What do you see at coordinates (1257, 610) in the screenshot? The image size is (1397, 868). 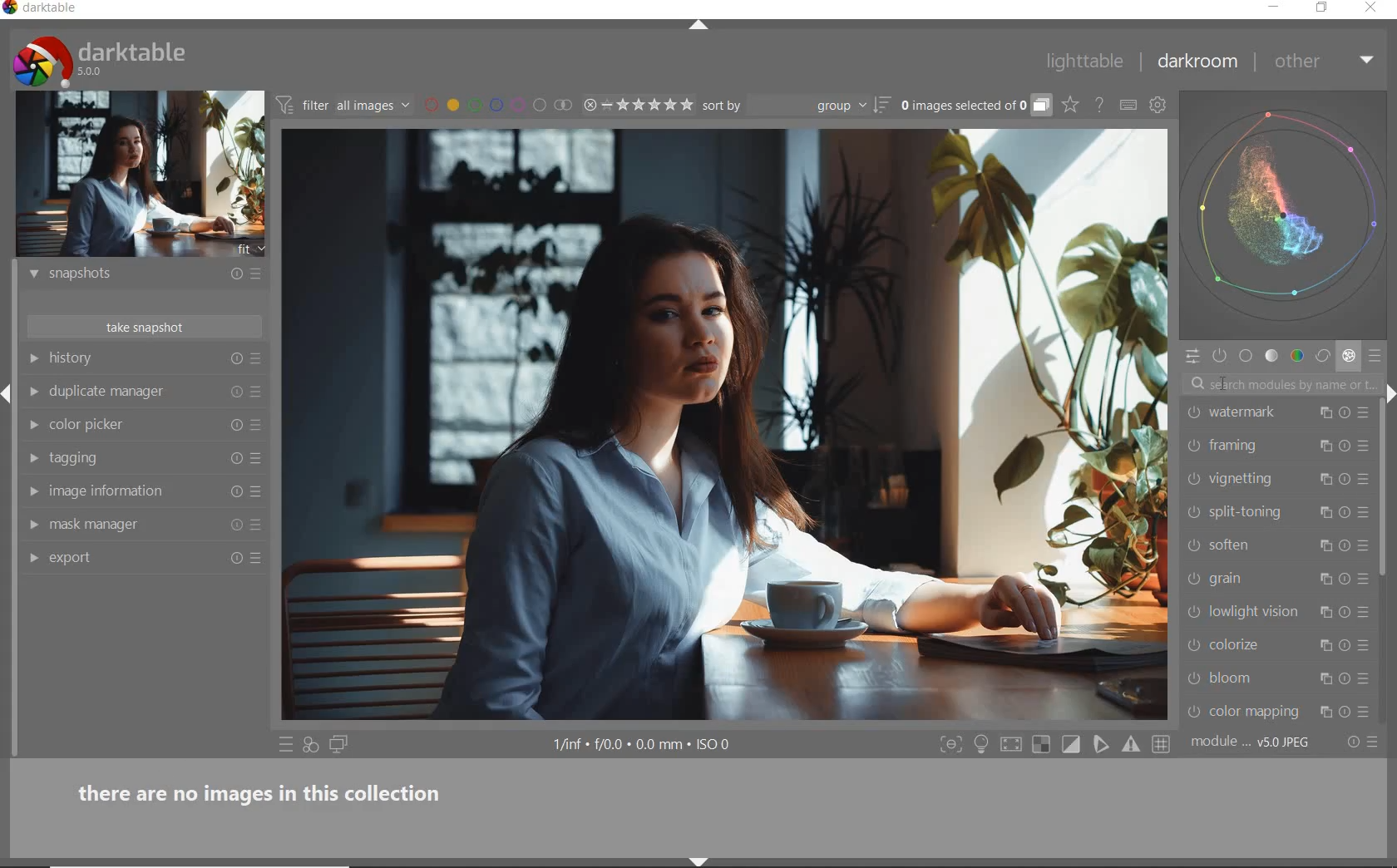 I see `lowlight vision` at bounding box center [1257, 610].